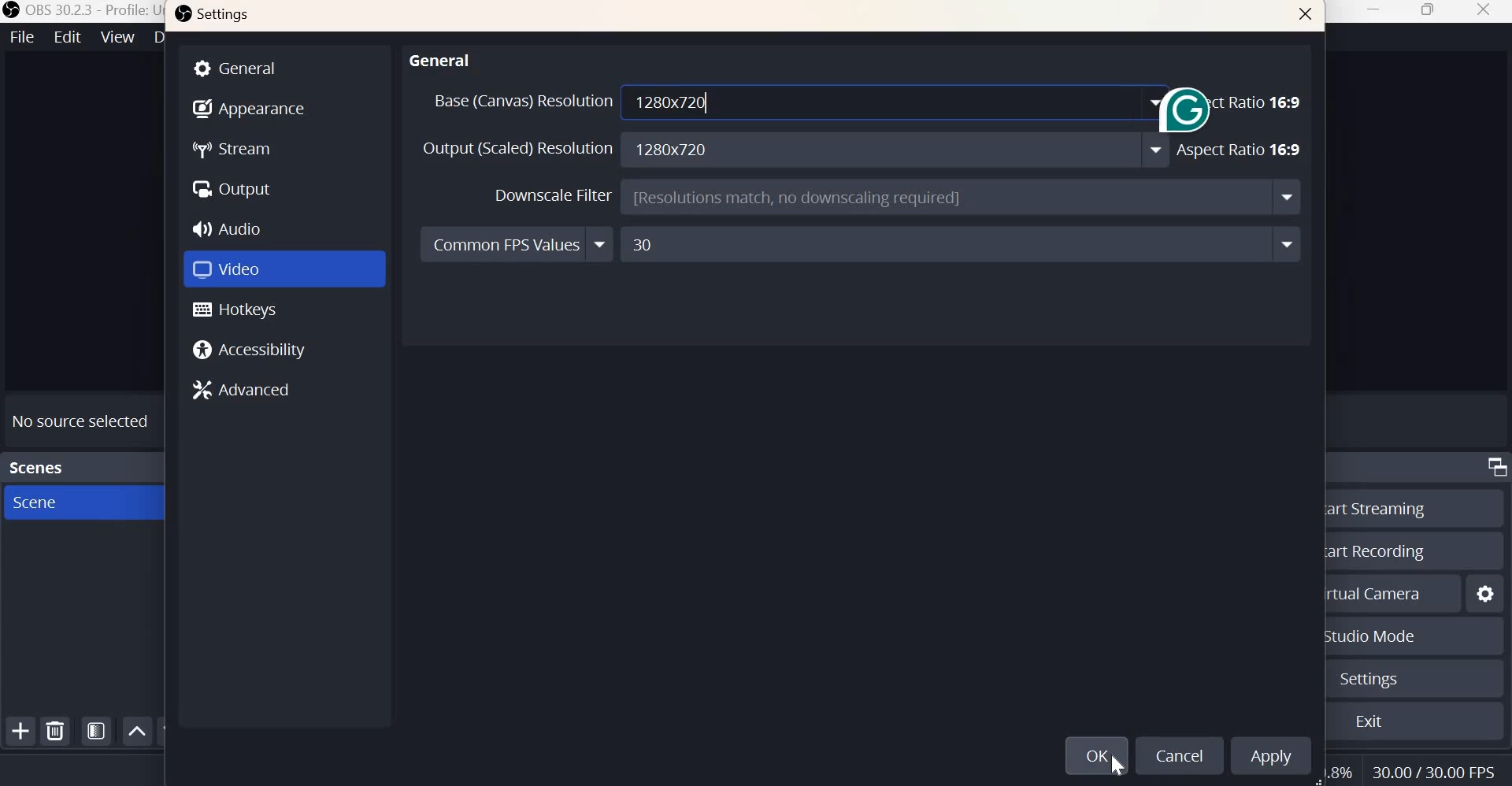 The height and width of the screenshot is (786, 1512). I want to click on OK, so click(1095, 755).